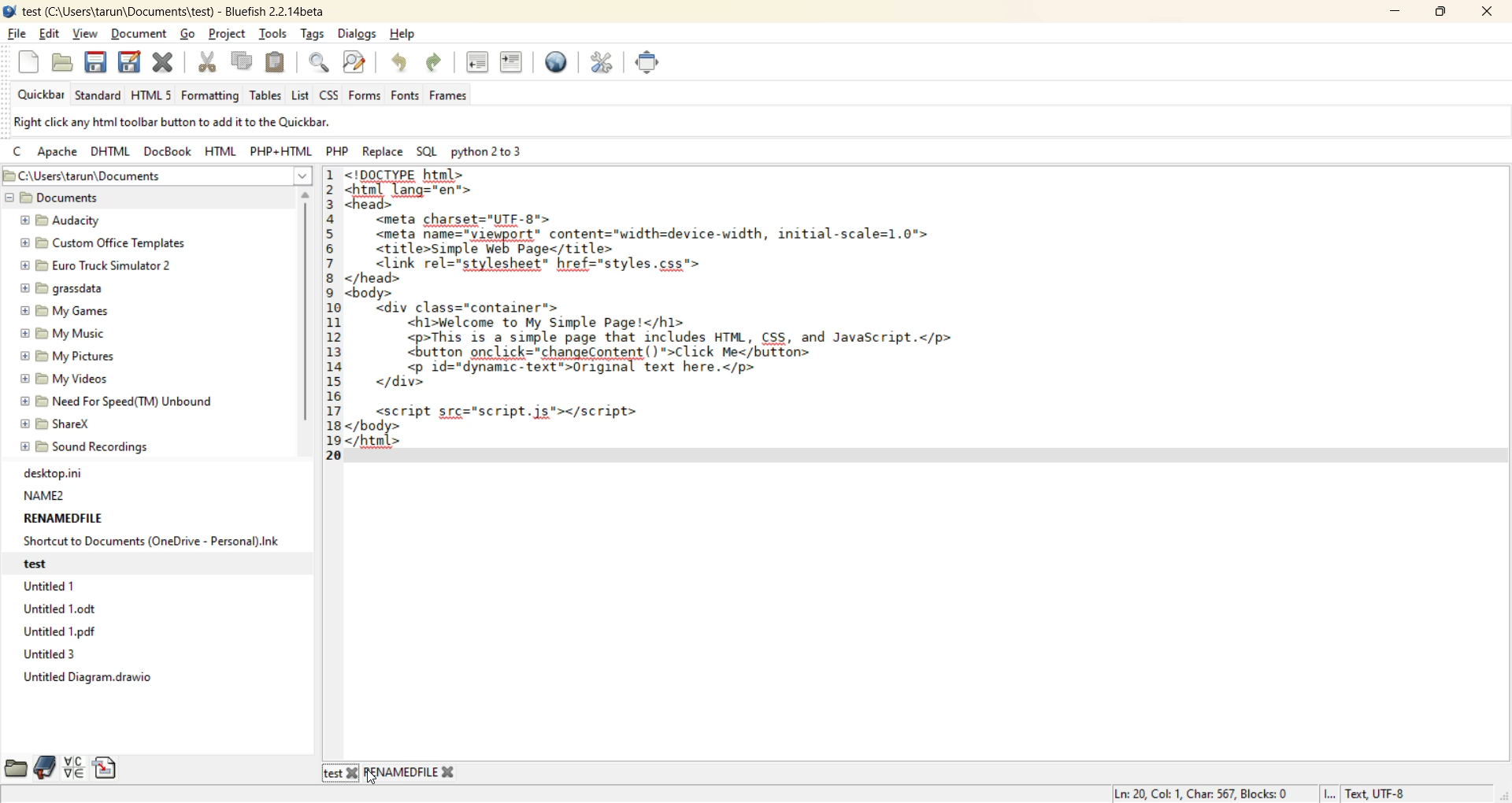 The width and height of the screenshot is (1512, 803). What do you see at coordinates (424, 151) in the screenshot?
I see `sql` at bounding box center [424, 151].